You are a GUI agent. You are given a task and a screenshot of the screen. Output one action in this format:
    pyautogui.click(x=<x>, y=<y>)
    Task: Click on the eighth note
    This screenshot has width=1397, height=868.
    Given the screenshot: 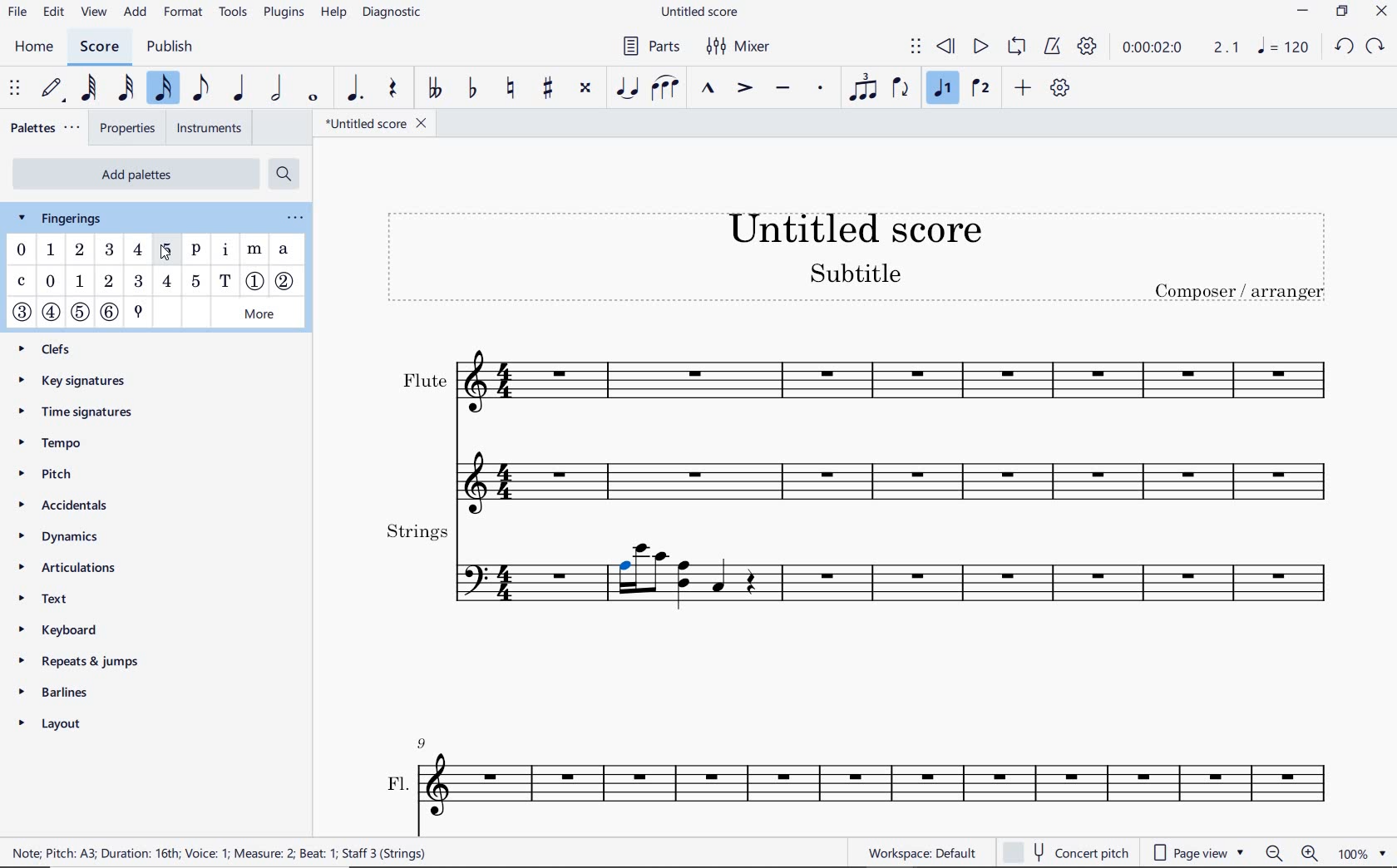 What is the action you would take?
    pyautogui.click(x=199, y=88)
    